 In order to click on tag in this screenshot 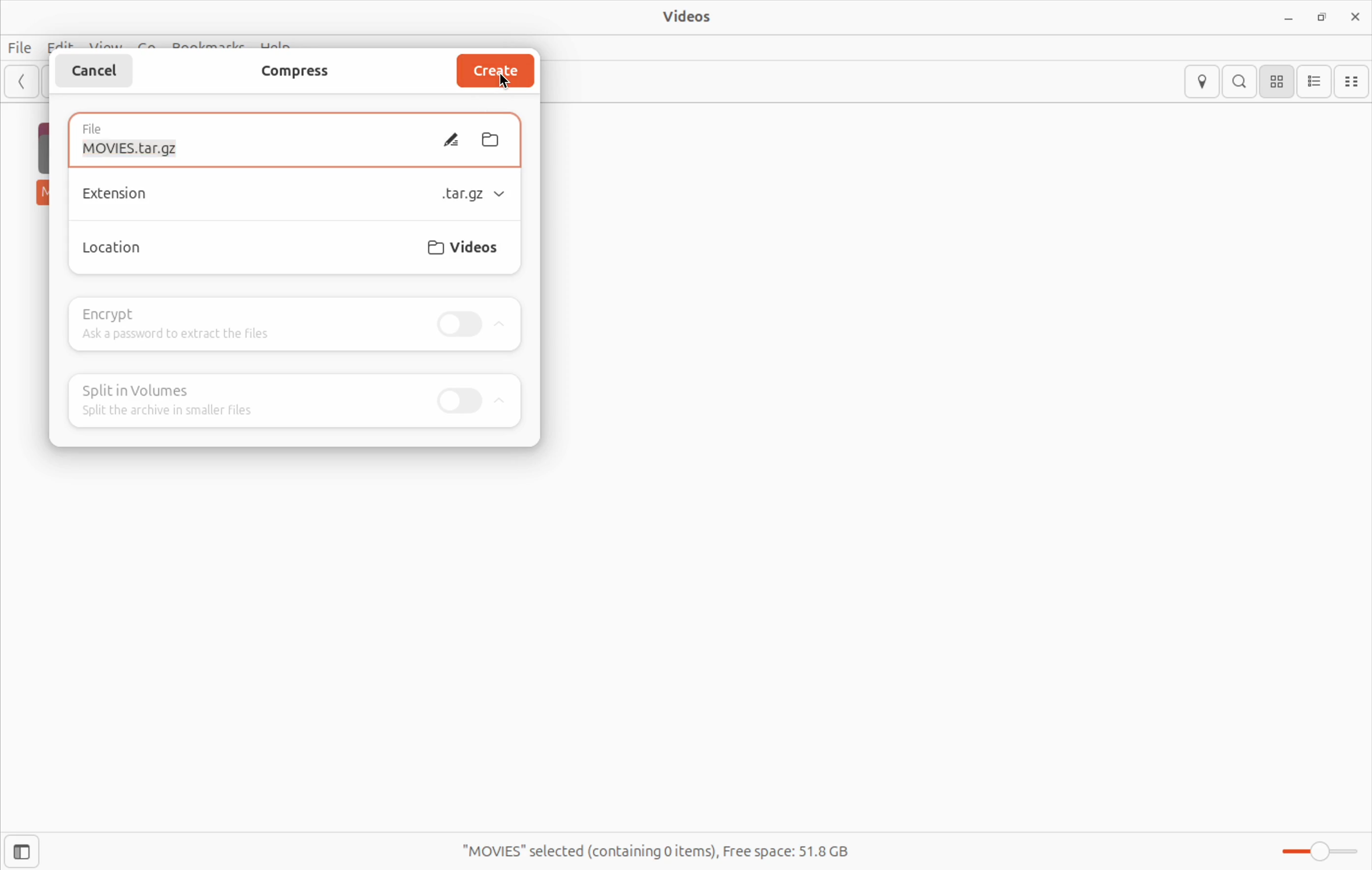, I will do `click(472, 192)`.